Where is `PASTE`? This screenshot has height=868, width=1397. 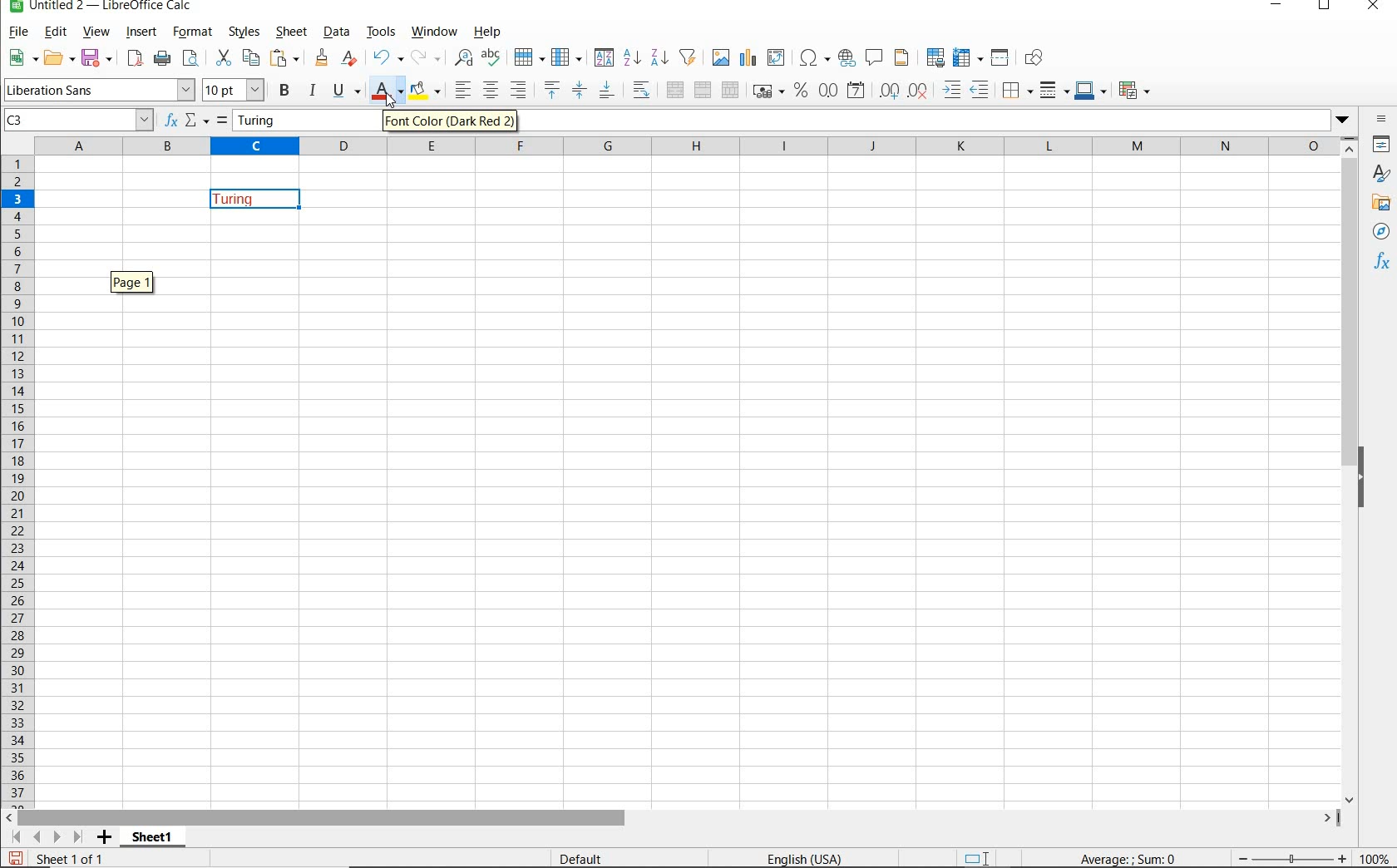
PASTE is located at coordinates (286, 60).